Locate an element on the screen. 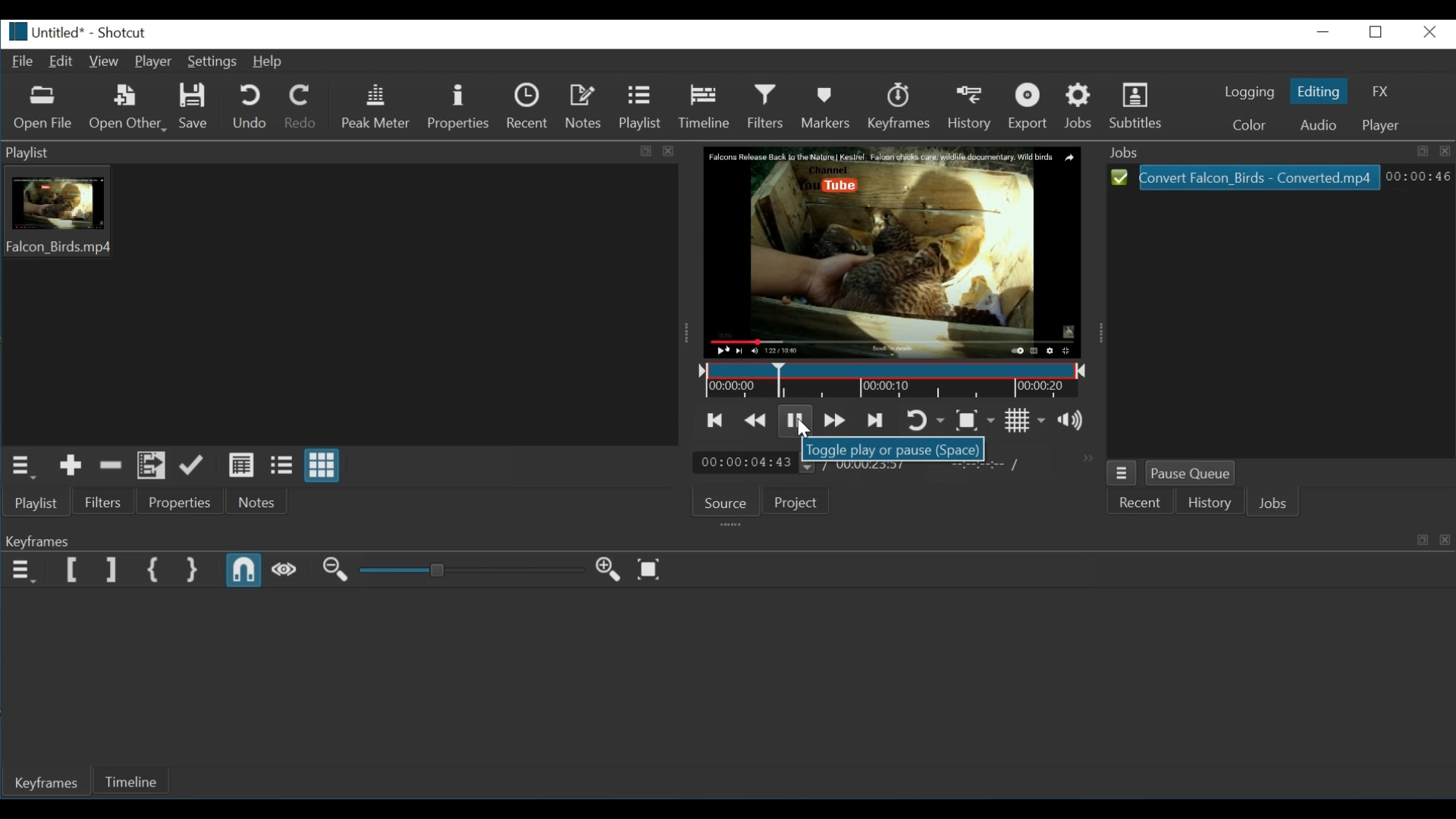 The width and height of the screenshot is (1456, 819). Toggle zoom is located at coordinates (975, 419).